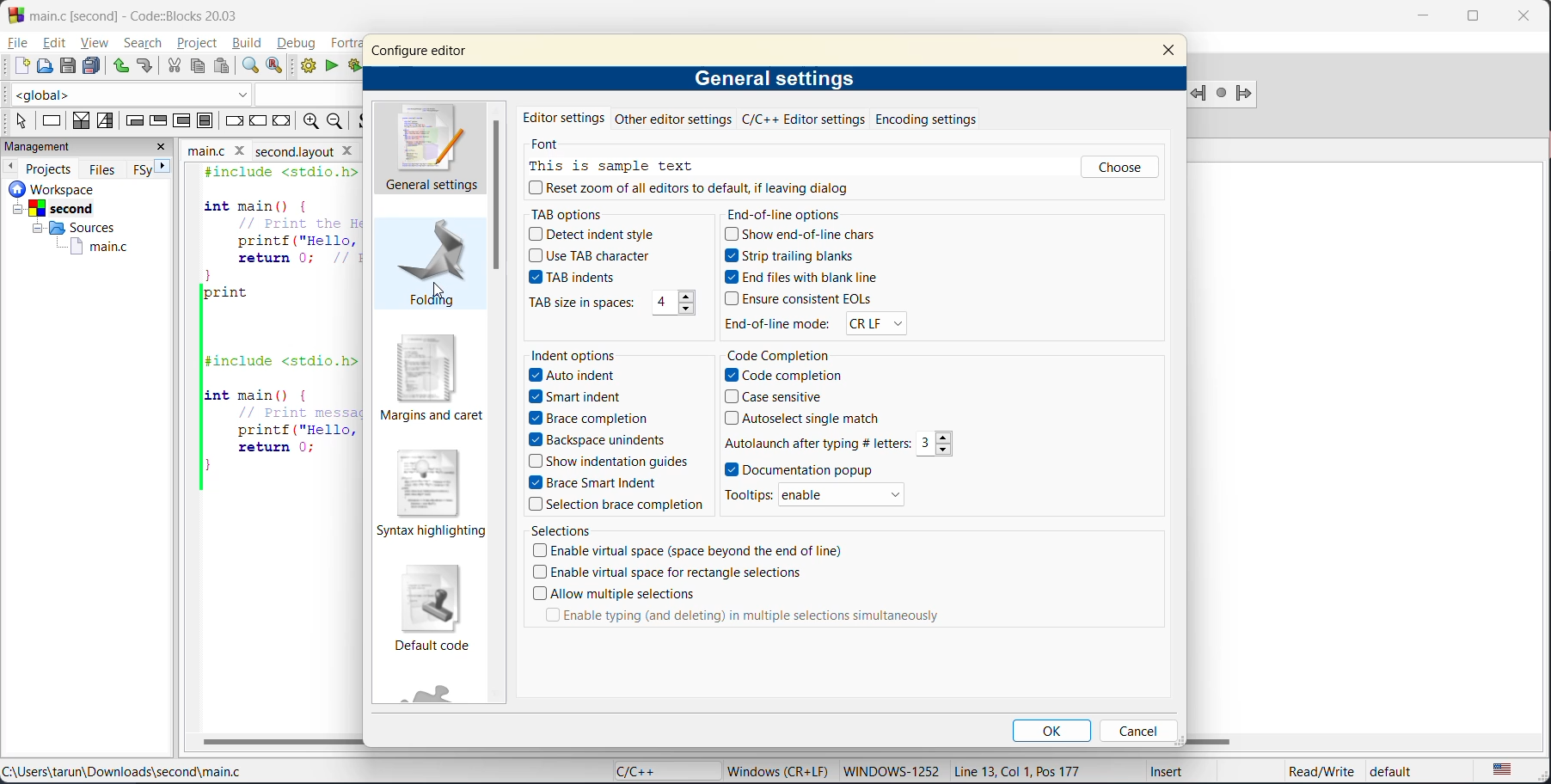 The width and height of the screenshot is (1551, 784). What do you see at coordinates (1303, 771) in the screenshot?
I see `Read/Write` at bounding box center [1303, 771].